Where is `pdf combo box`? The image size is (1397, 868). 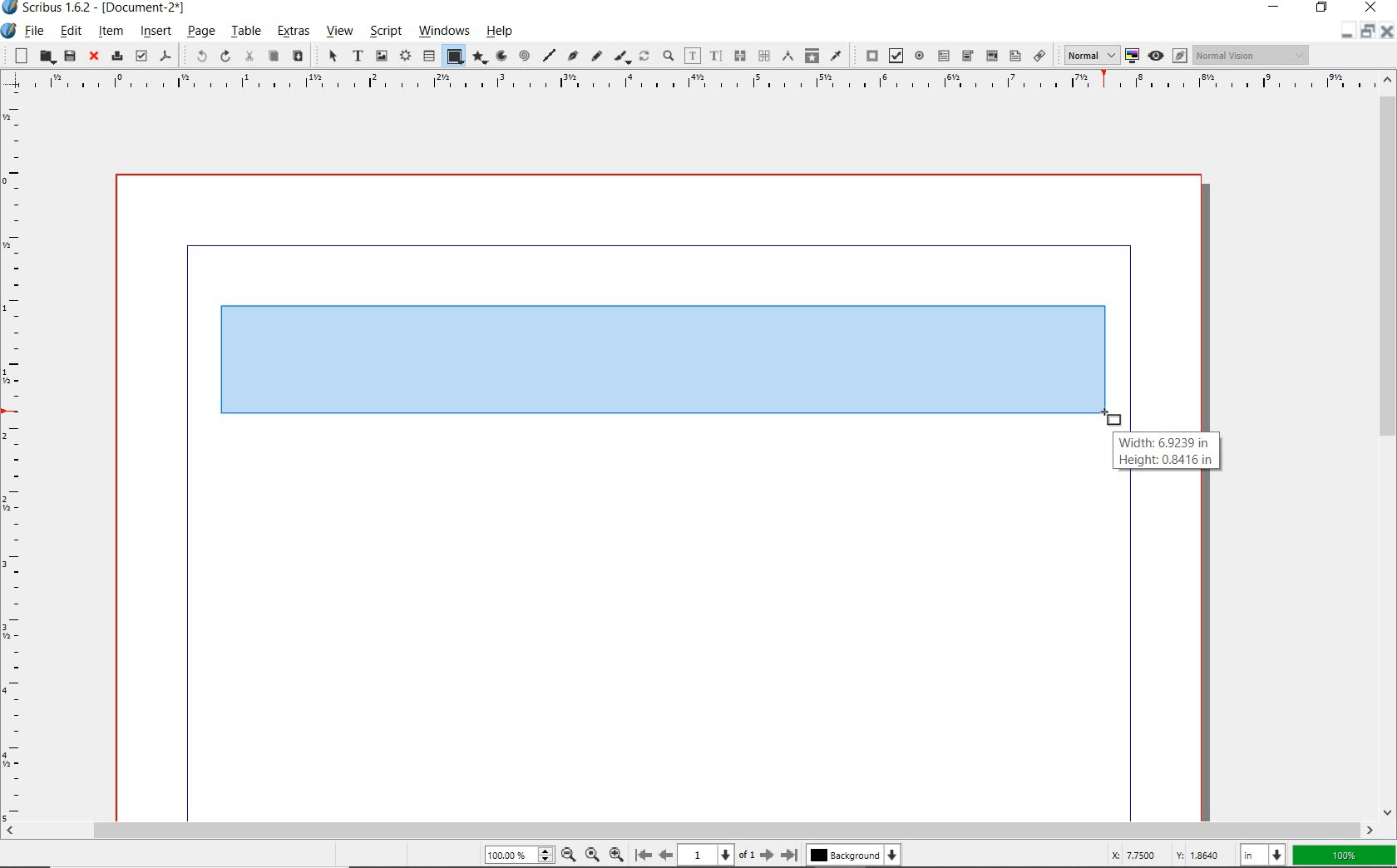 pdf combo box is located at coordinates (967, 57).